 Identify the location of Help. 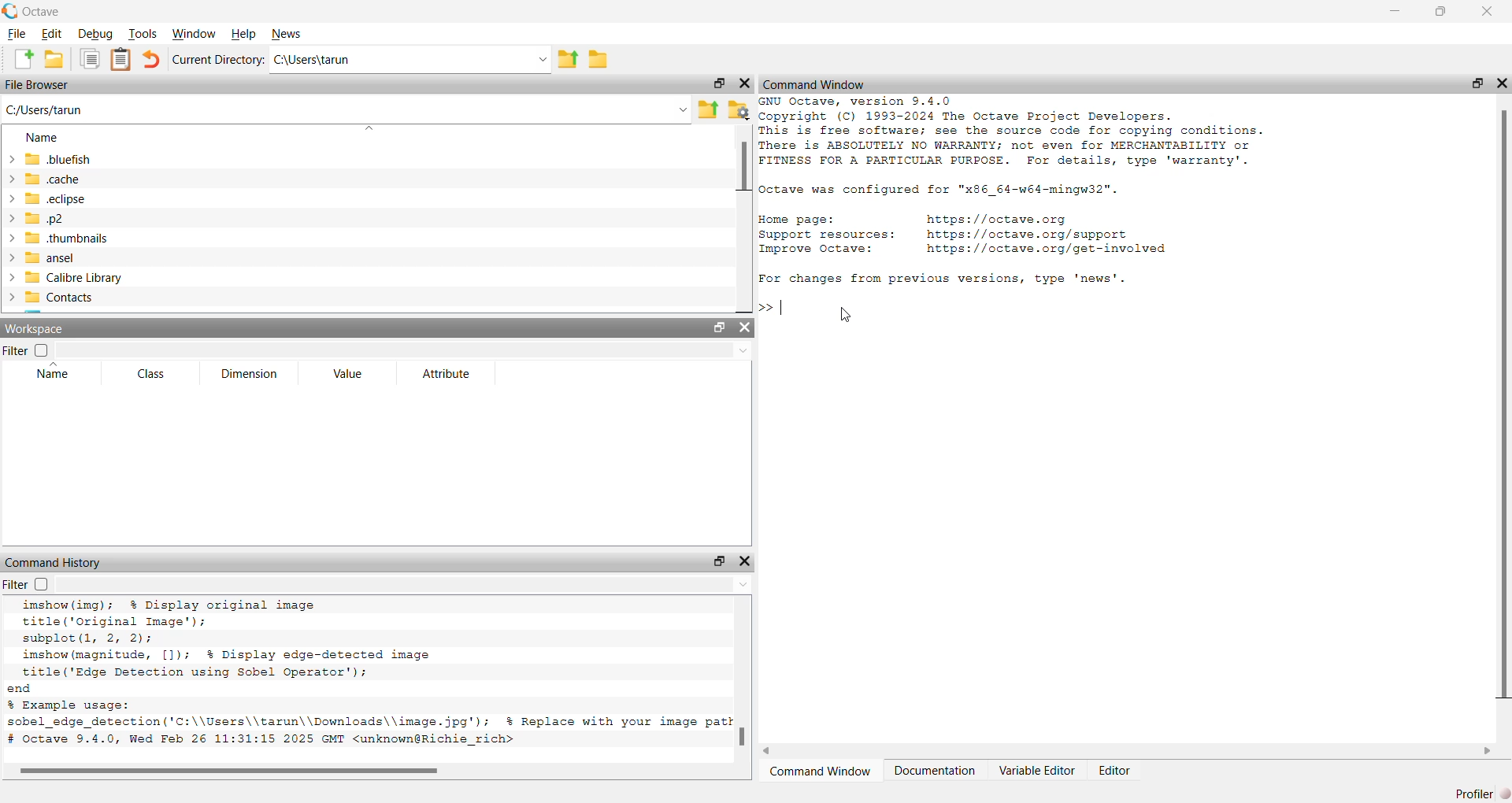
(244, 35).